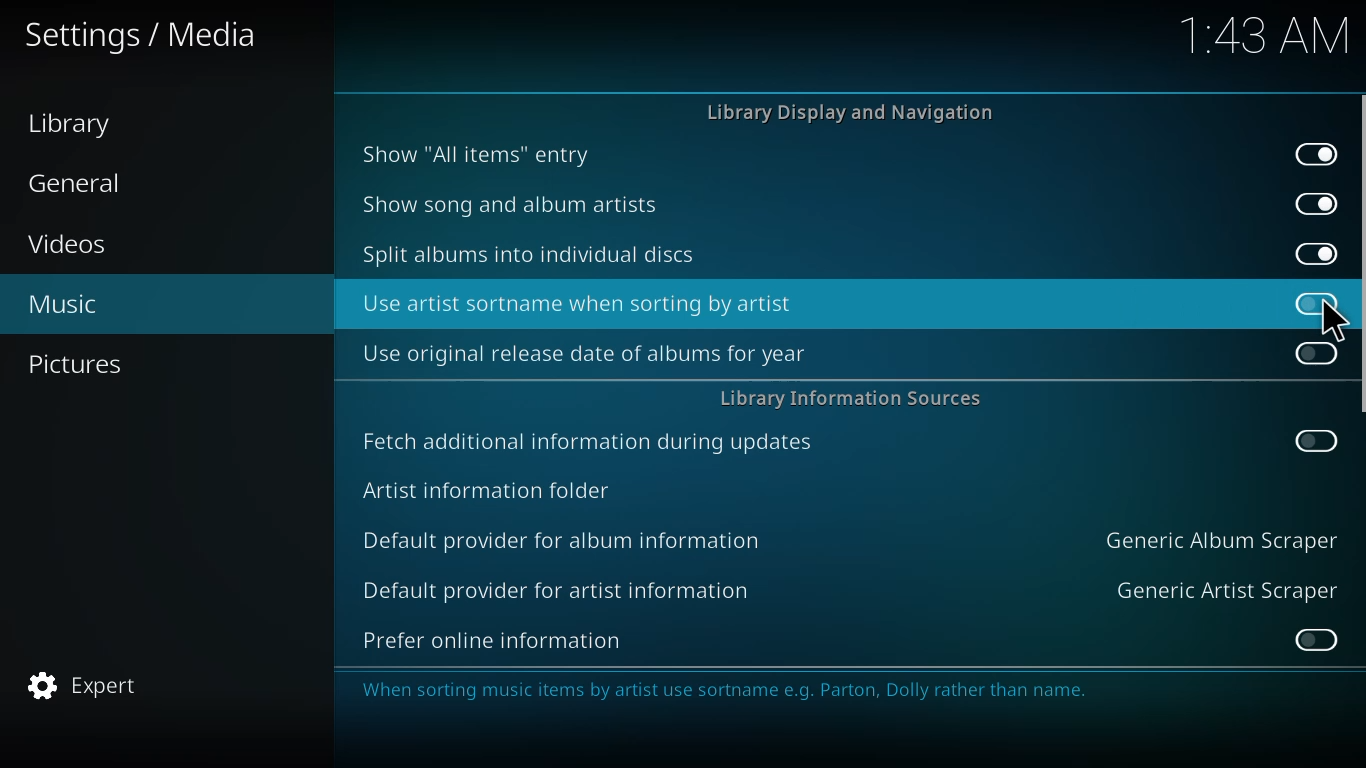 This screenshot has width=1366, height=768. What do you see at coordinates (1258, 36) in the screenshot?
I see `time` at bounding box center [1258, 36].